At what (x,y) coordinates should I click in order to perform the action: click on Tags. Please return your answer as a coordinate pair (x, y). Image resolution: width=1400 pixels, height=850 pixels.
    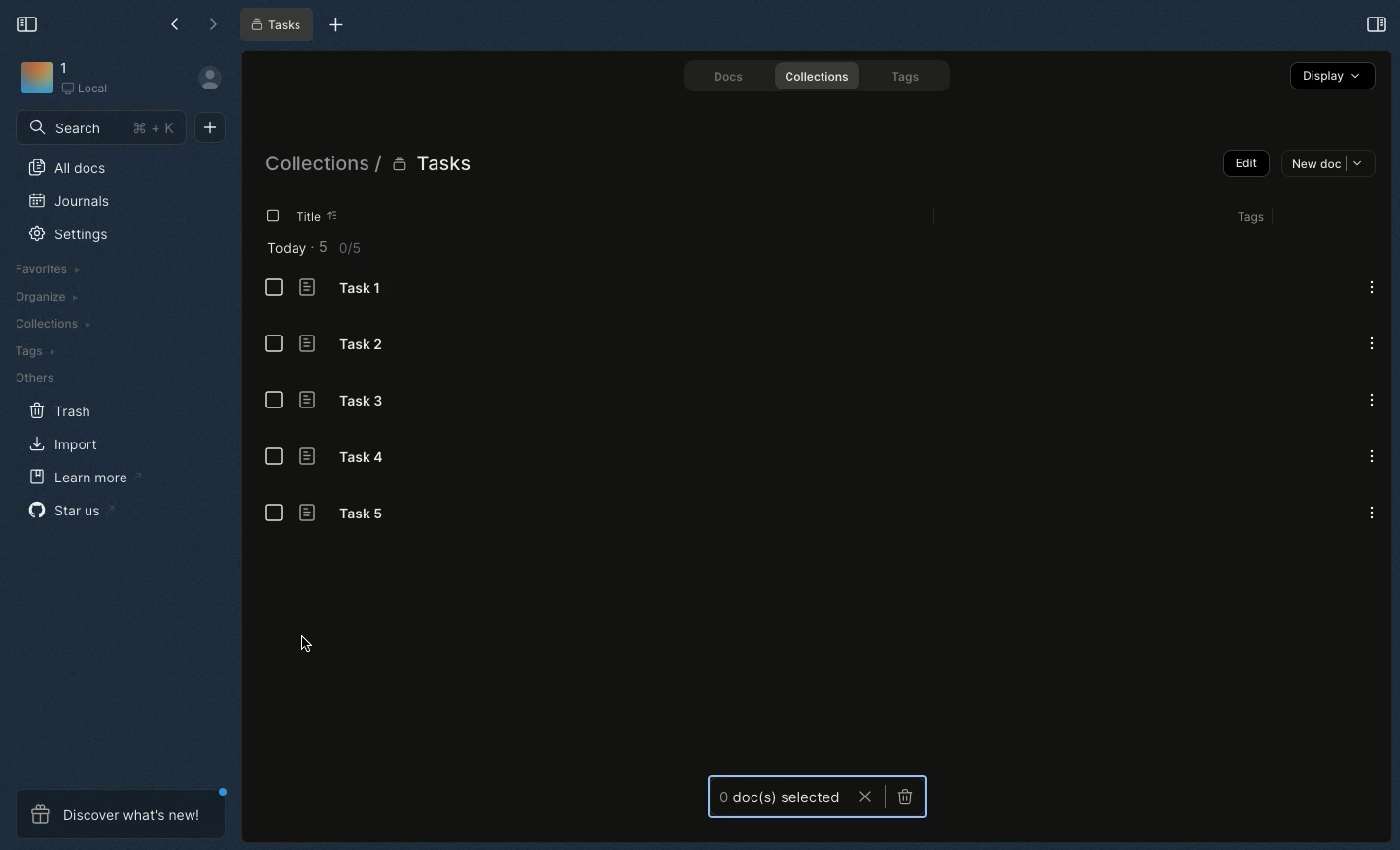
    Looking at the image, I should click on (1248, 216).